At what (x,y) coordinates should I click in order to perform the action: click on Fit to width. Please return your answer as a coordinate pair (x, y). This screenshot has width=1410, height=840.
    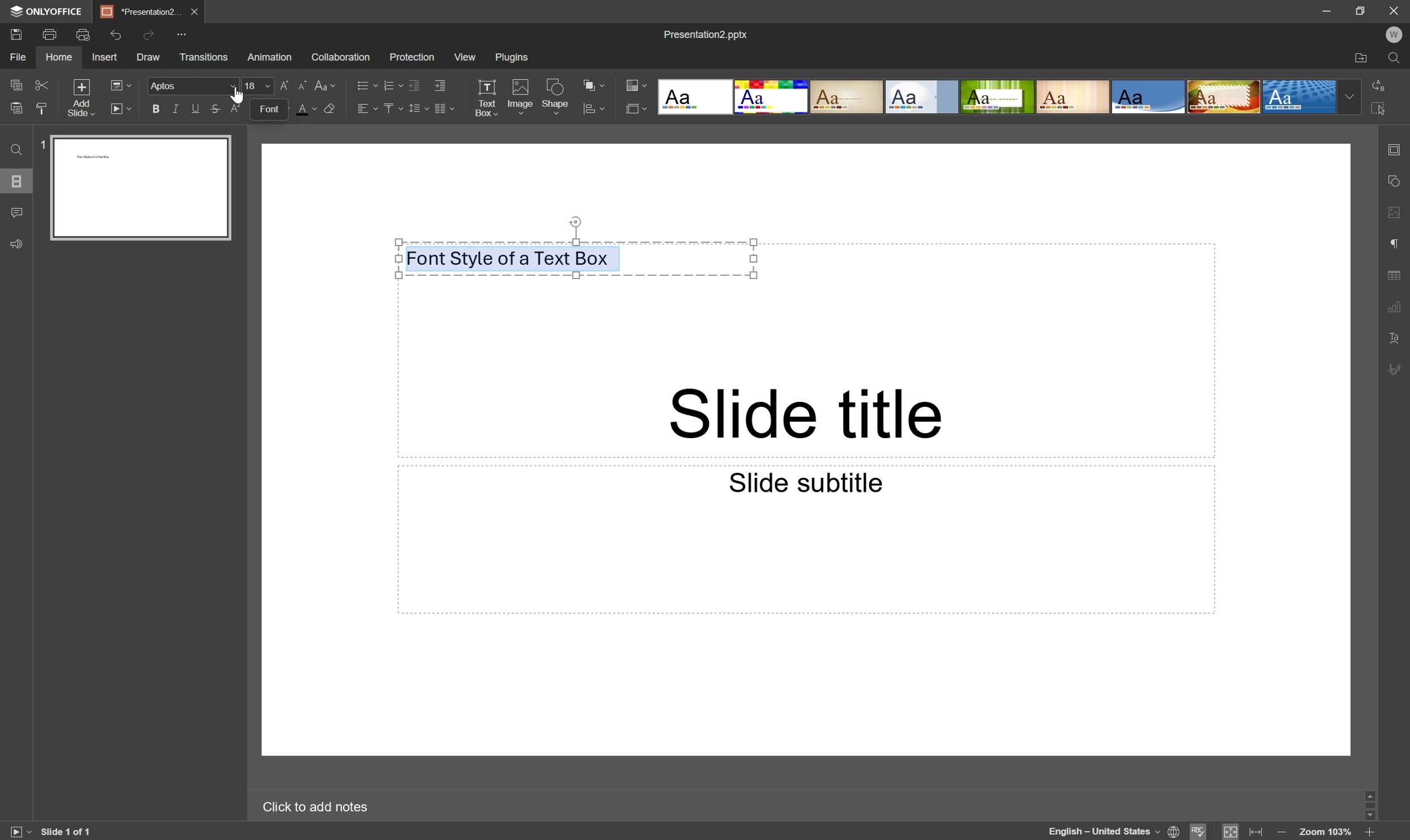
    Looking at the image, I should click on (1259, 832).